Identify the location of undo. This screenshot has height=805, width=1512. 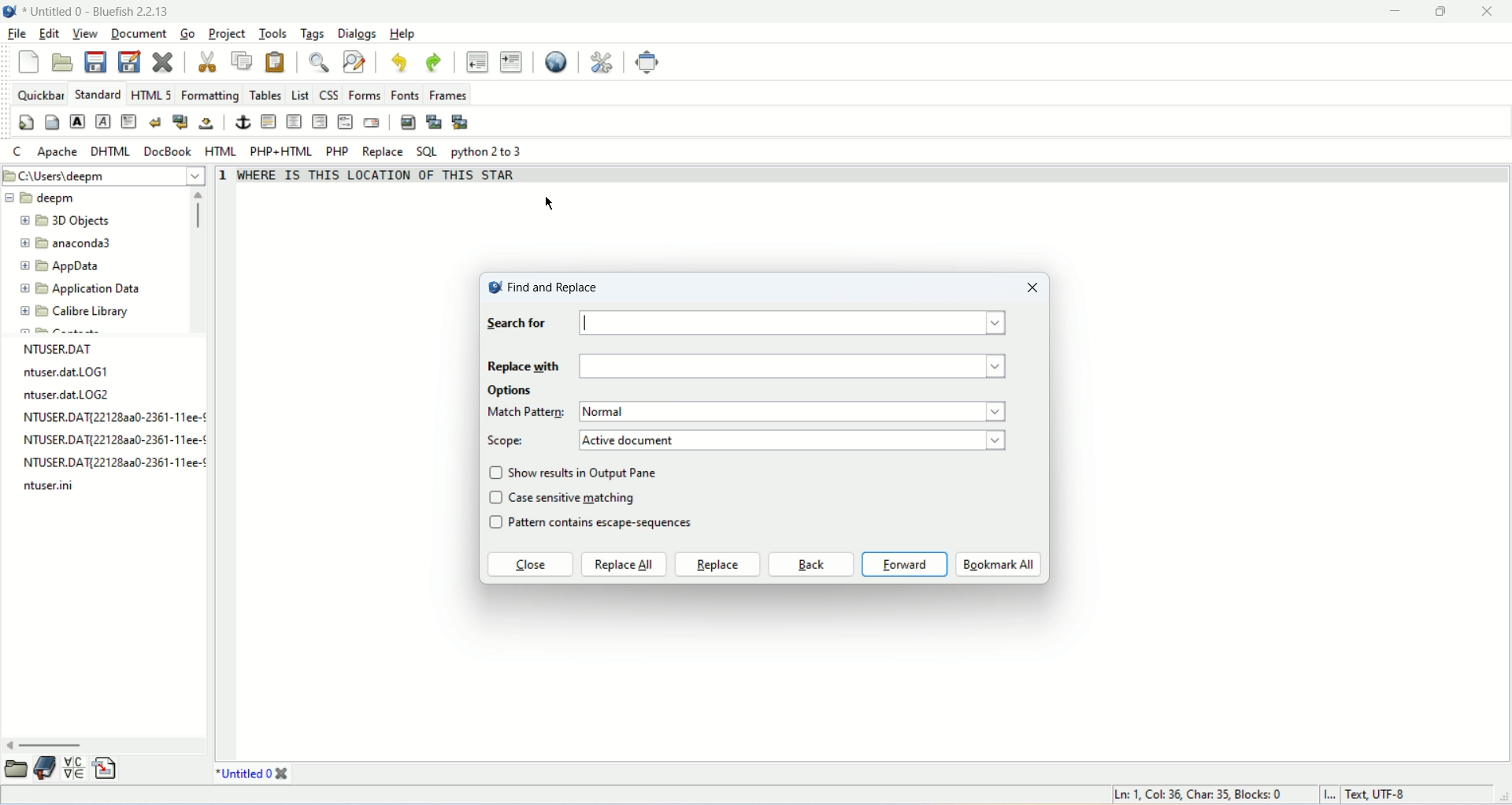
(398, 62).